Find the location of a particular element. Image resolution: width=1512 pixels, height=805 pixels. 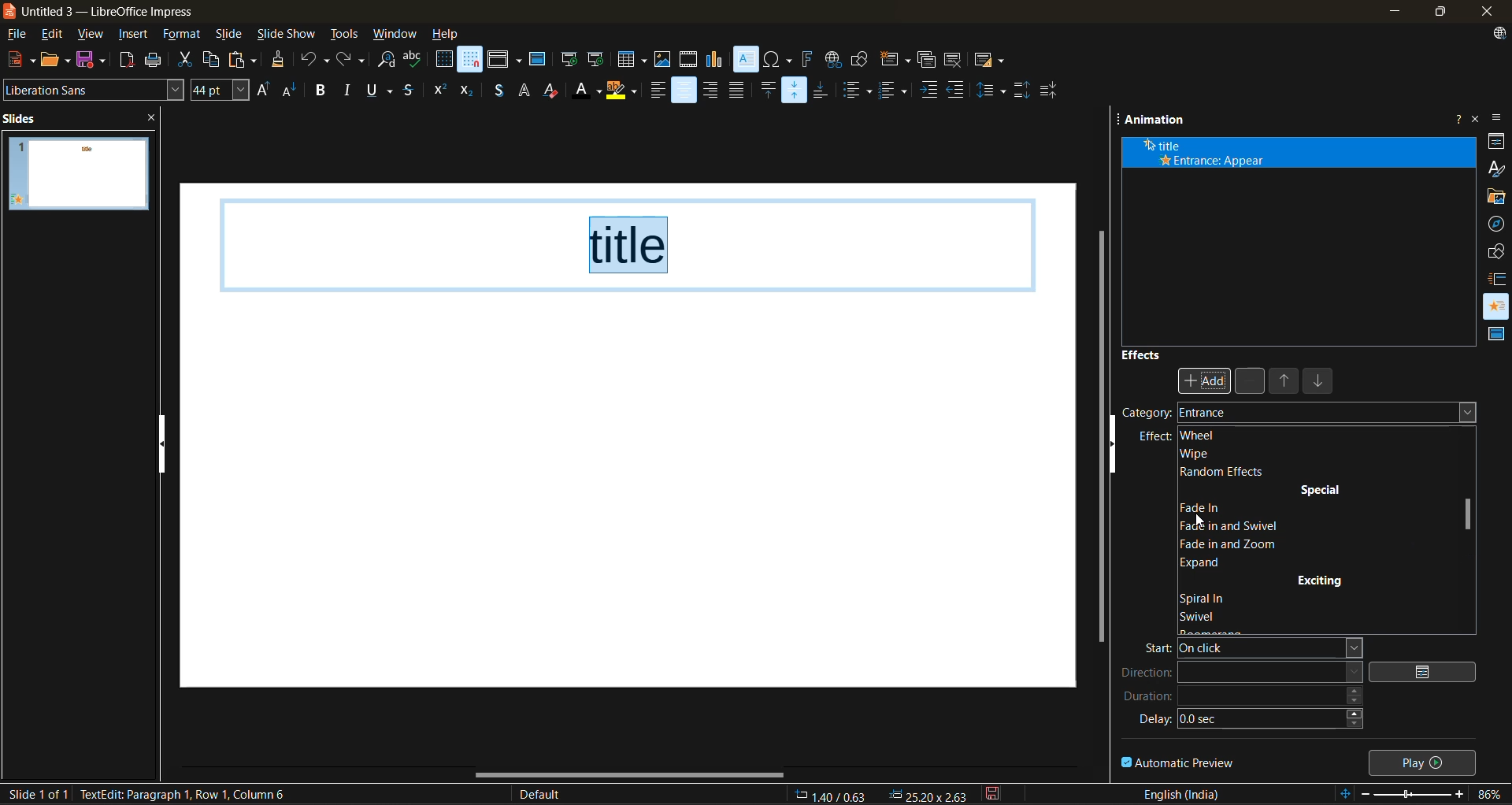

fade in and swivel is located at coordinates (1251, 525).